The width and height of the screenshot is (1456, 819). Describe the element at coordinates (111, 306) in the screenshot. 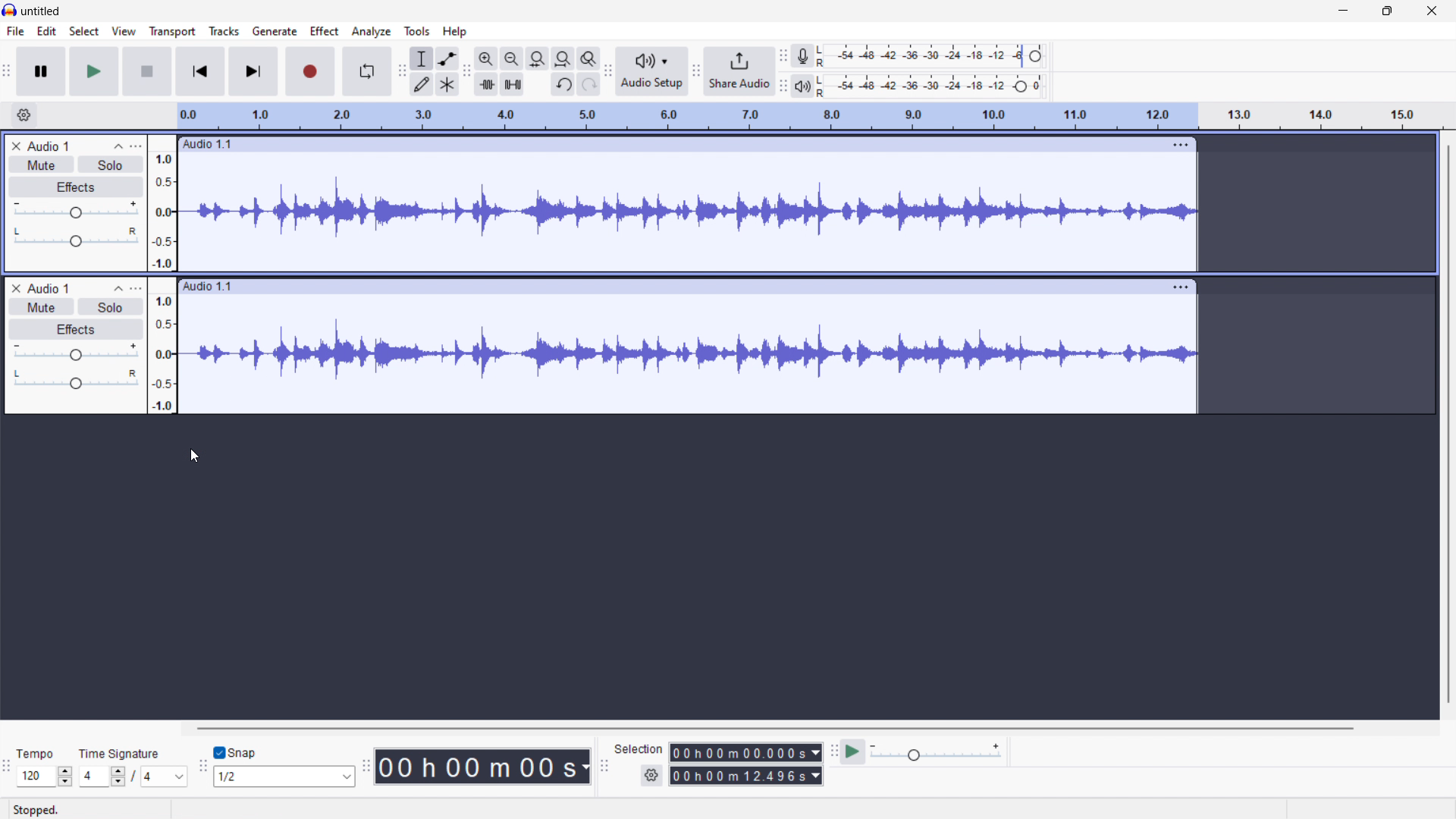

I see `Solo` at that location.